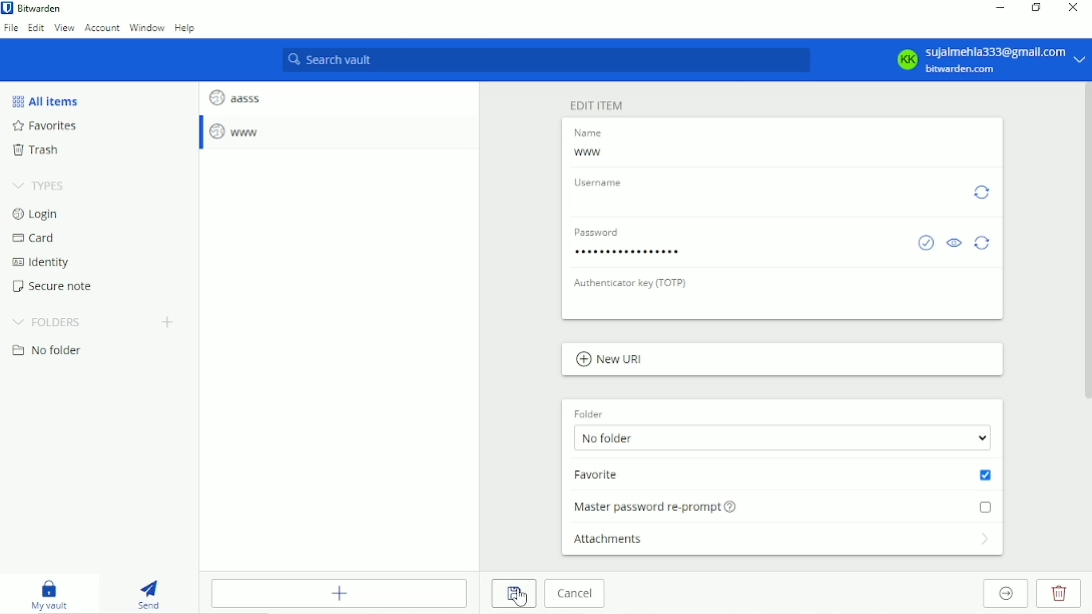 The image size is (1092, 614). Describe the element at coordinates (36, 239) in the screenshot. I see `Card` at that location.